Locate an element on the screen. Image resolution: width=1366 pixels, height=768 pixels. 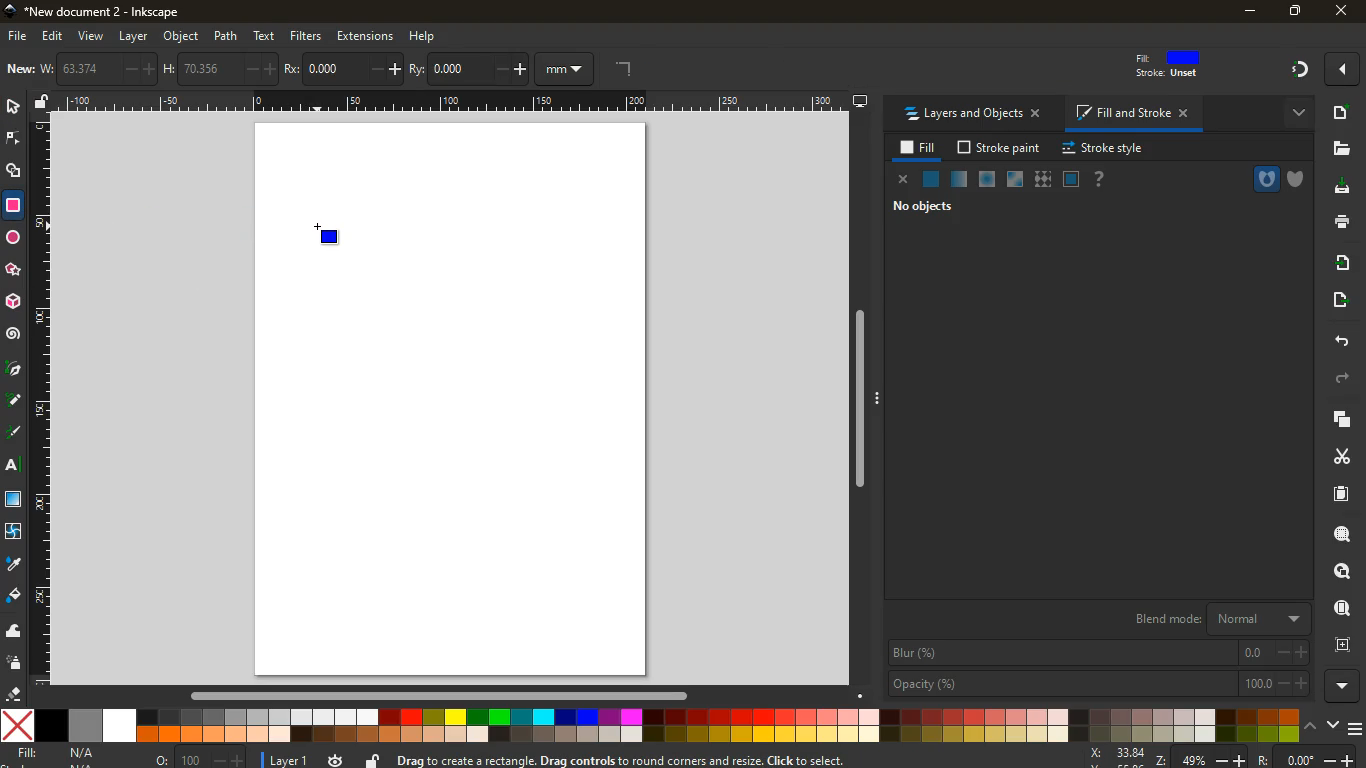
filters is located at coordinates (306, 37).